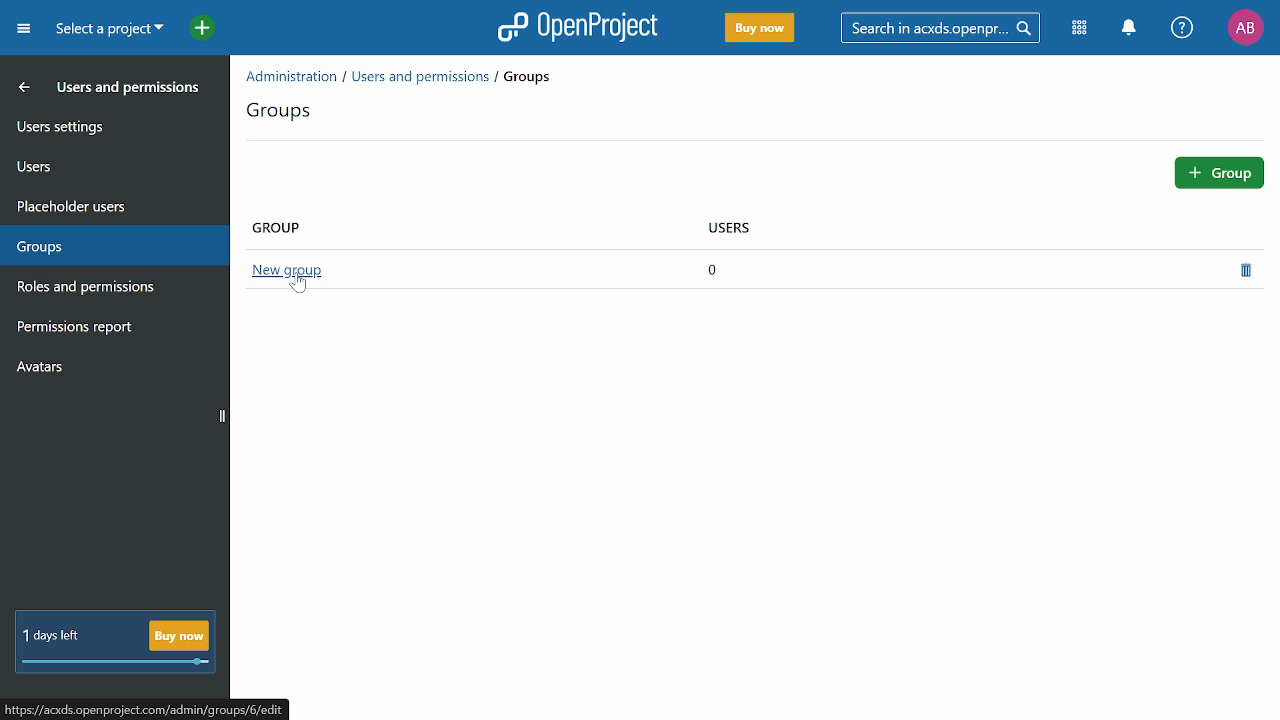 The image size is (1280, 720). Describe the element at coordinates (947, 27) in the screenshot. I see `Search` at that location.